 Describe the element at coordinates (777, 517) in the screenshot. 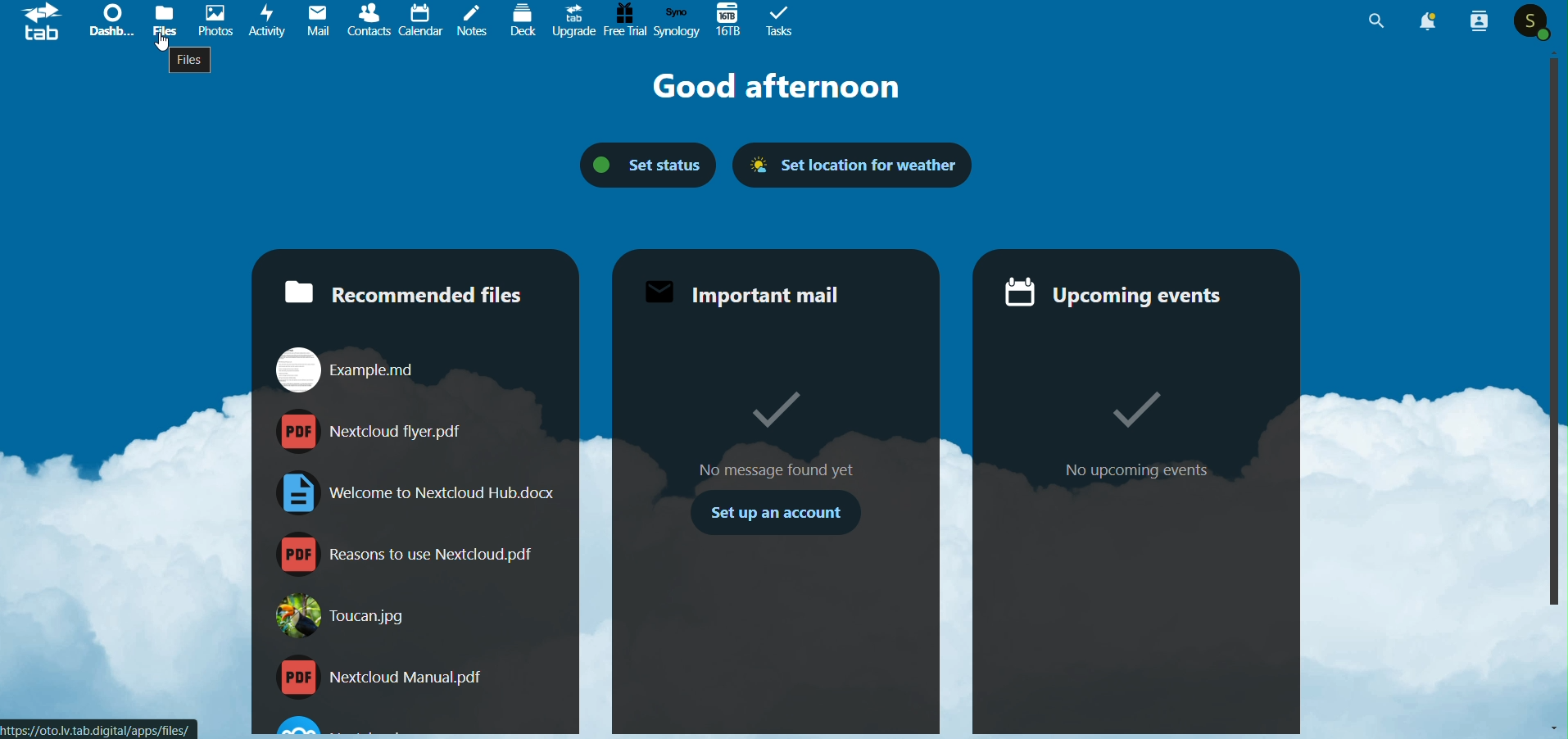

I see `Set Up an account` at that location.